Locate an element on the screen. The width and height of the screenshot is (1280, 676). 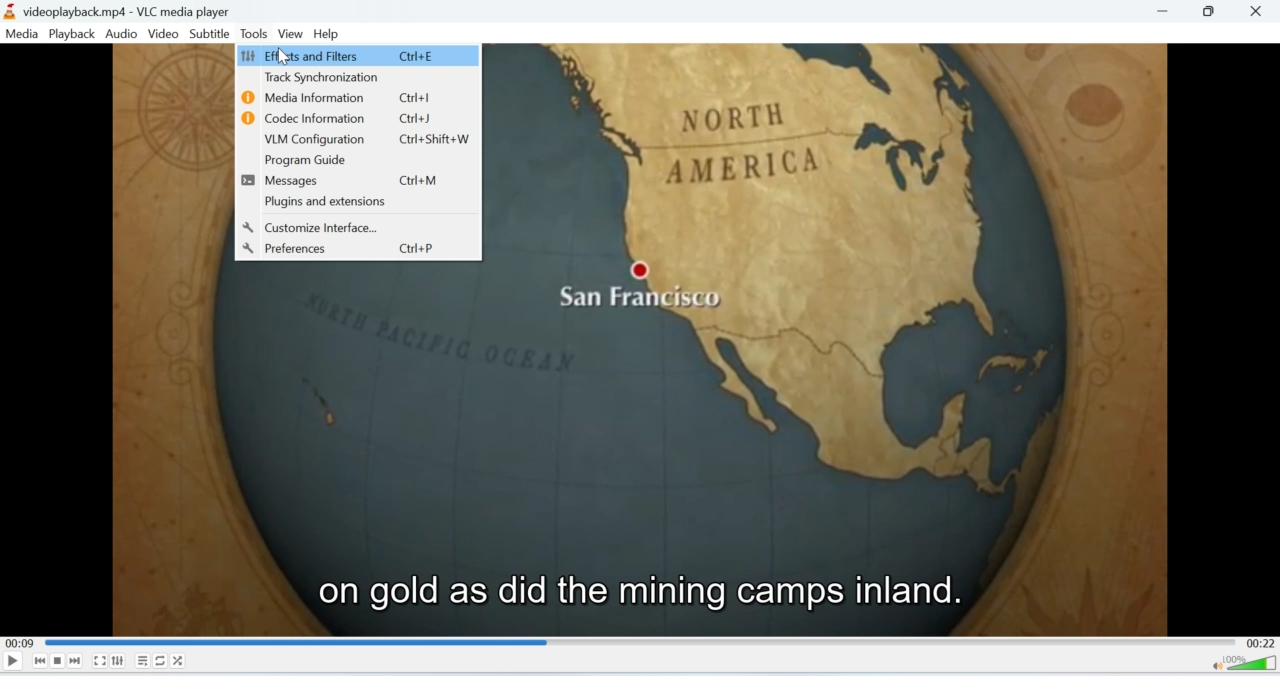
minimise is located at coordinates (1165, 12).